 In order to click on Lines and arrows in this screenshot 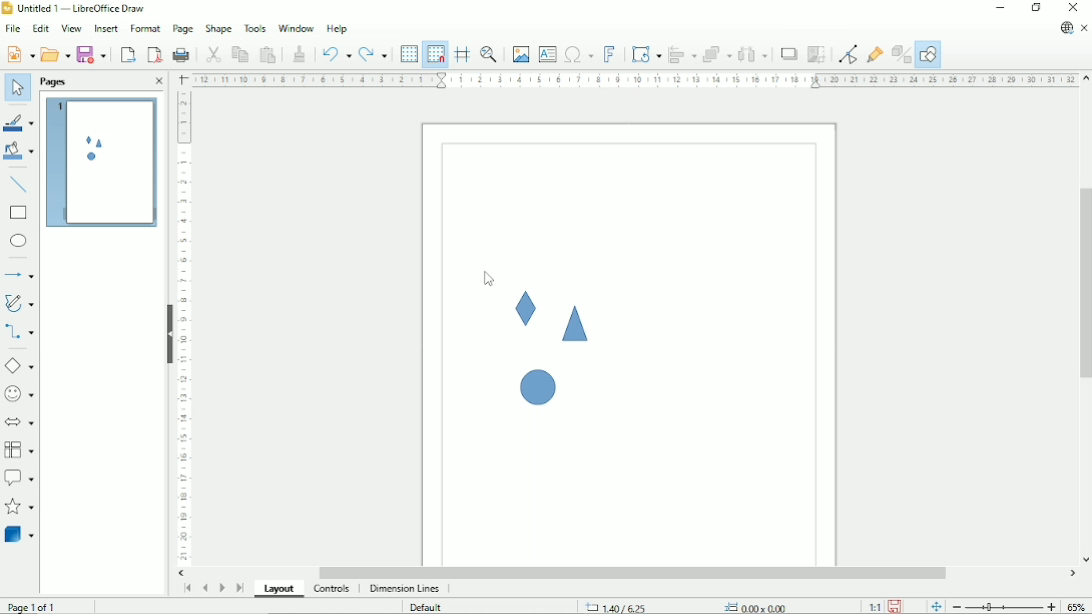, I will do `click(21, 275)`.